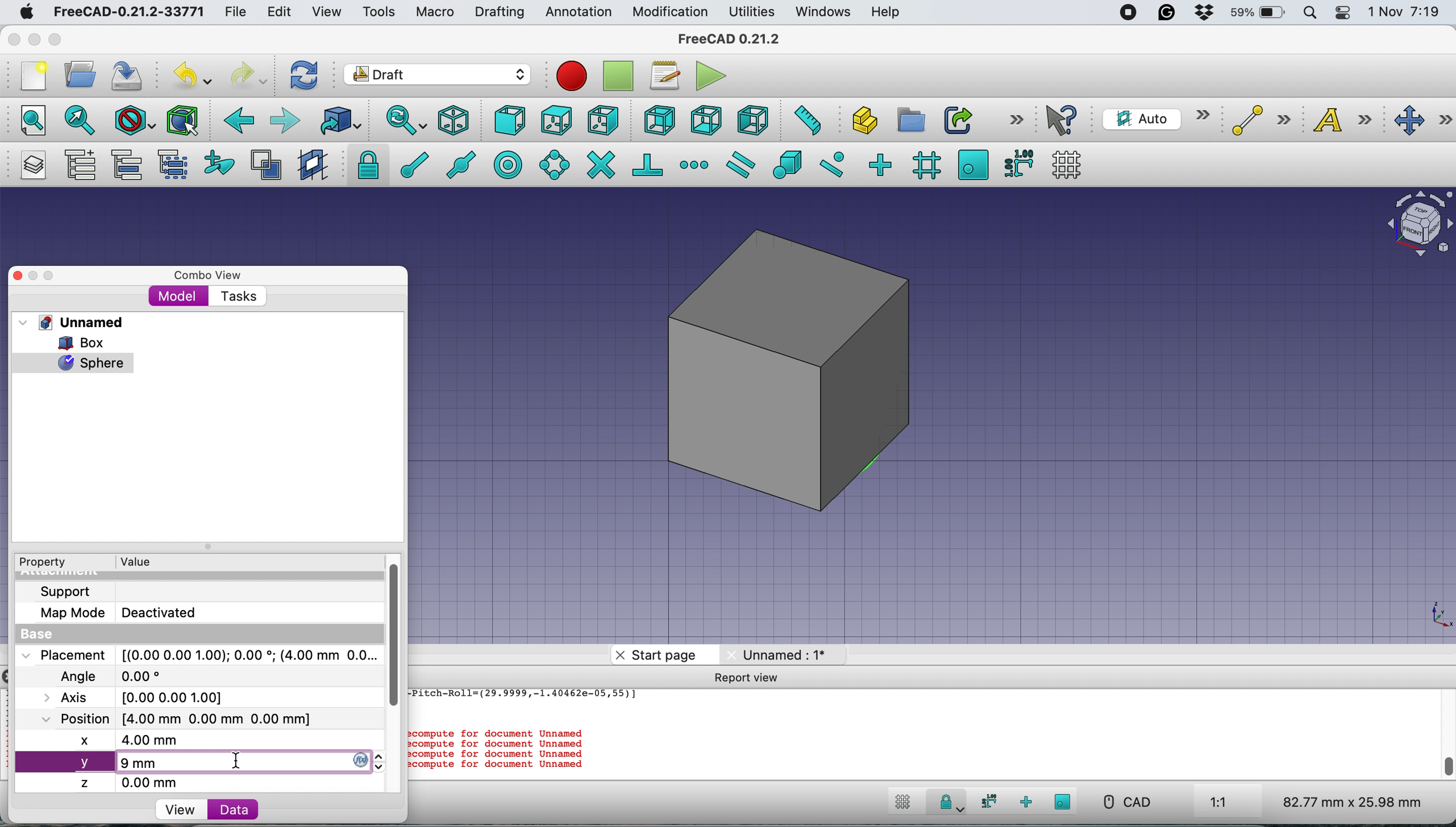 This screenshot has height=827, width=1456. Describe the element at coordinates (135, 122) in the screenshot. I see `draw style` at that location.